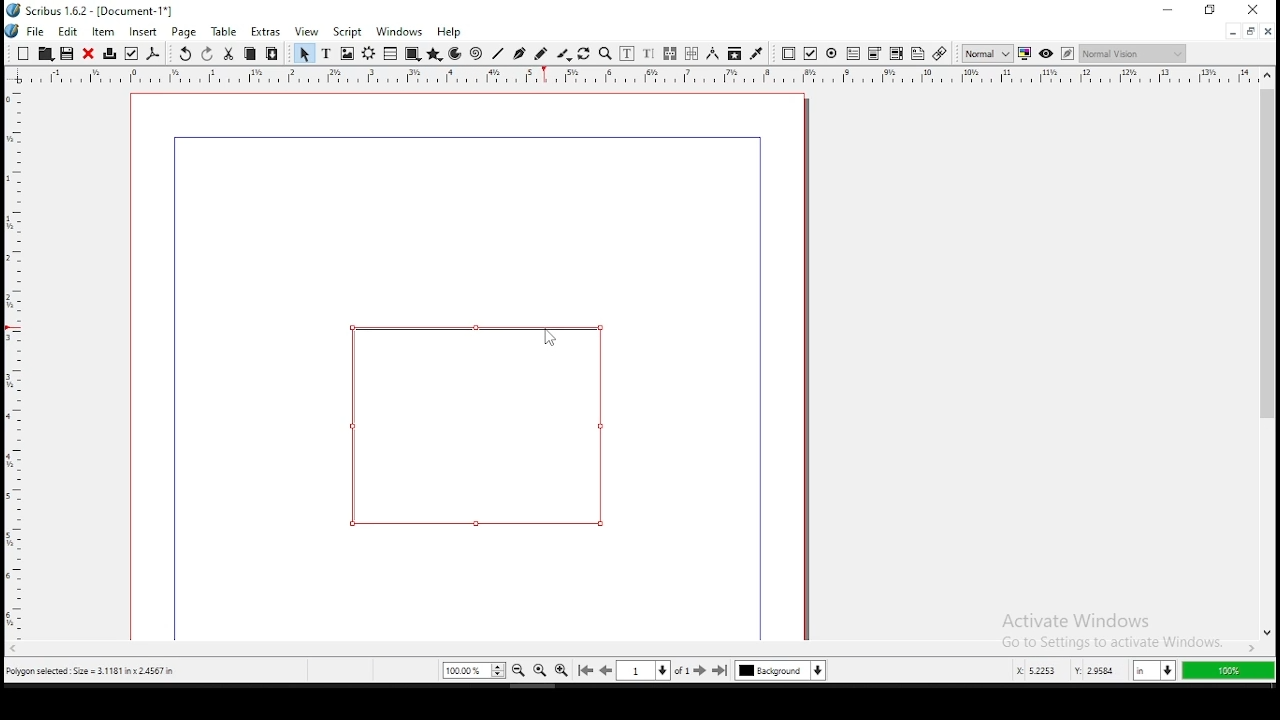 The image size is (1280, 720). I want to click on scroll bar, so click(1266, 354).